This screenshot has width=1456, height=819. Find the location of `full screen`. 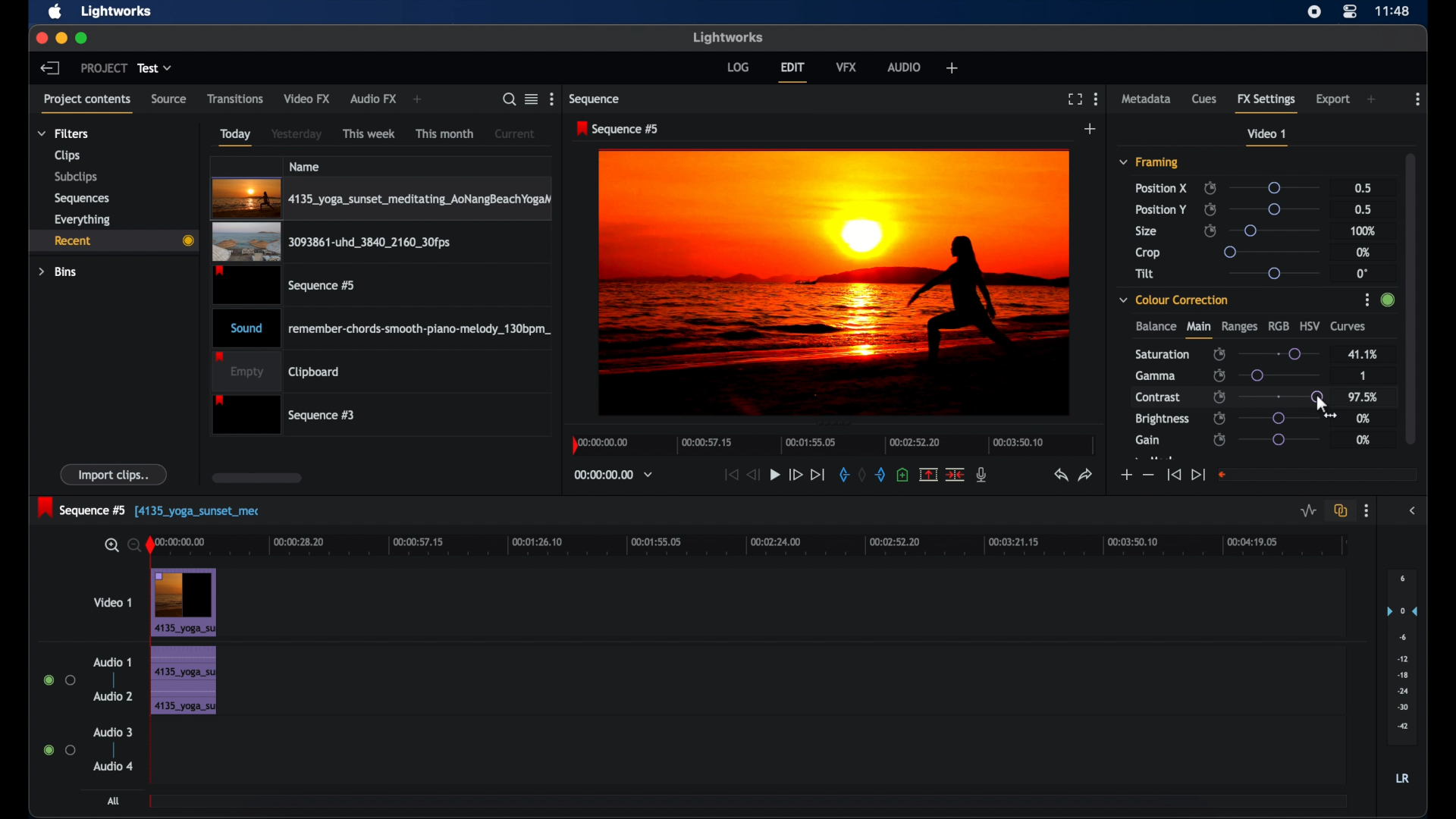

full screen is located at coordinates (1075, 99).